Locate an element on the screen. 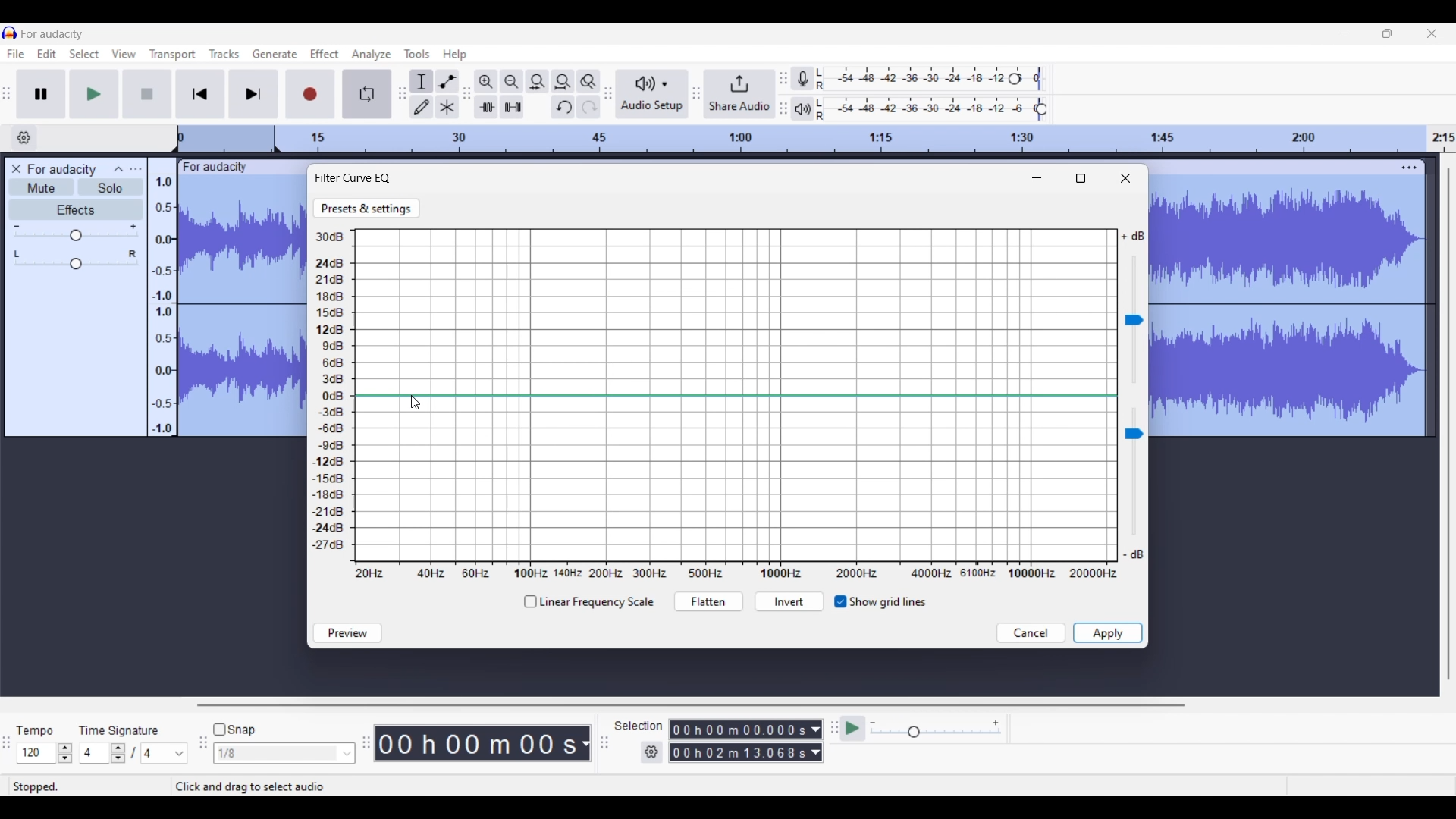 Image resolution: width=1456 pixels, height=819 pixels. Min. gain is located at coordinates (17, 226).